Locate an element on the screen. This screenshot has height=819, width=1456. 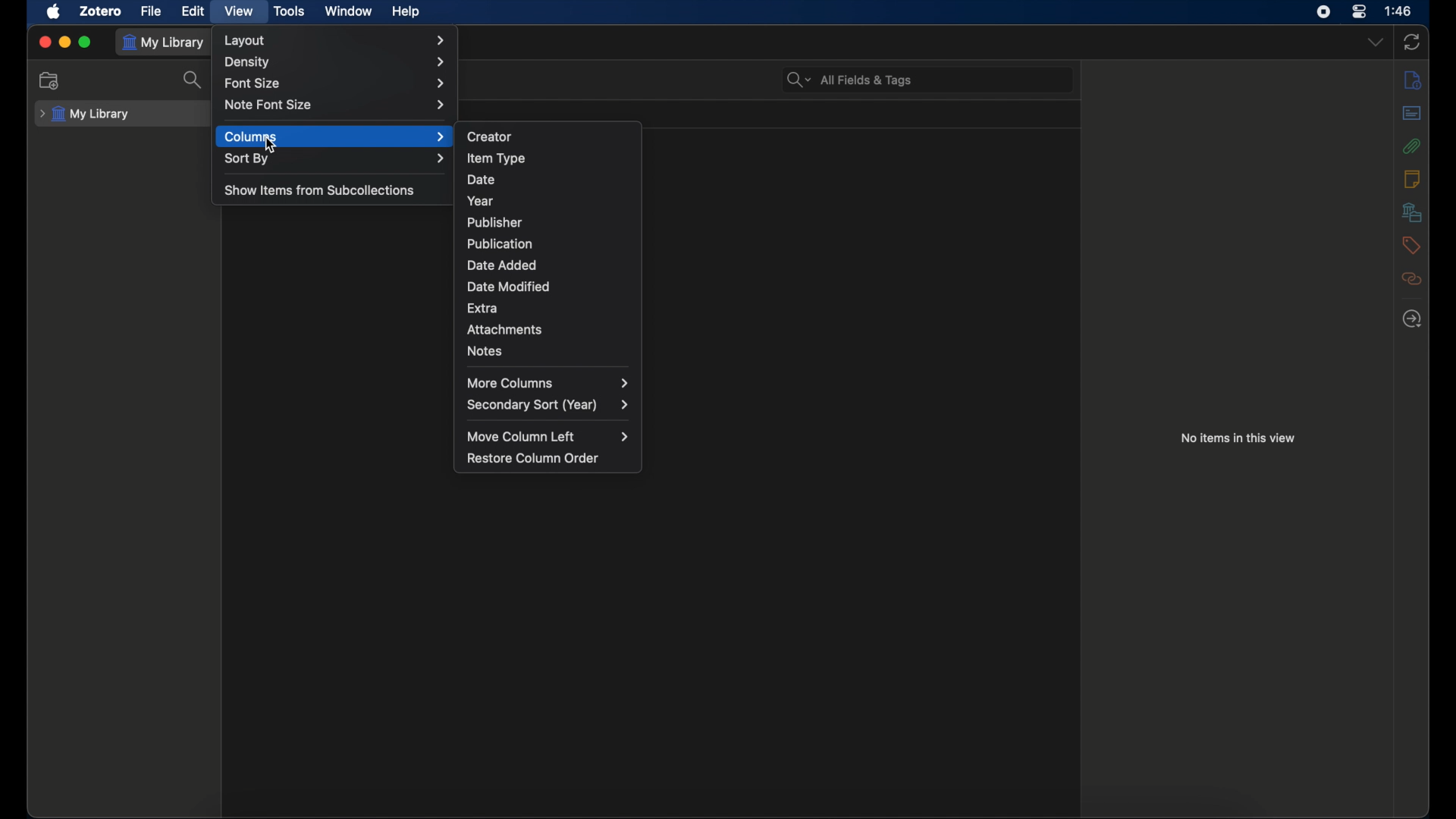
window is located at coordinates (349, 11).